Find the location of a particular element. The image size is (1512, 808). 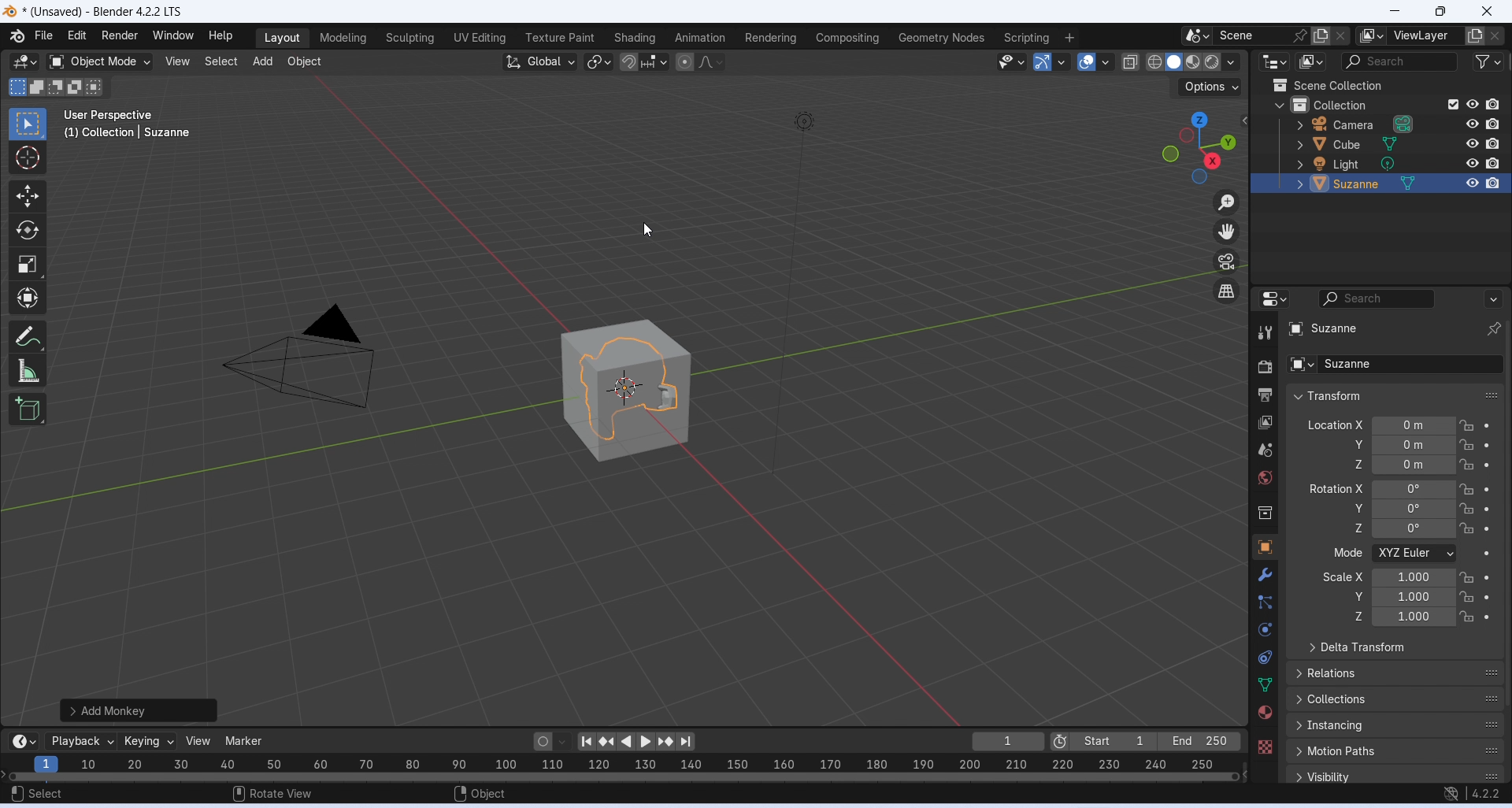

show gizmo is located at coordinates (1043, 61).